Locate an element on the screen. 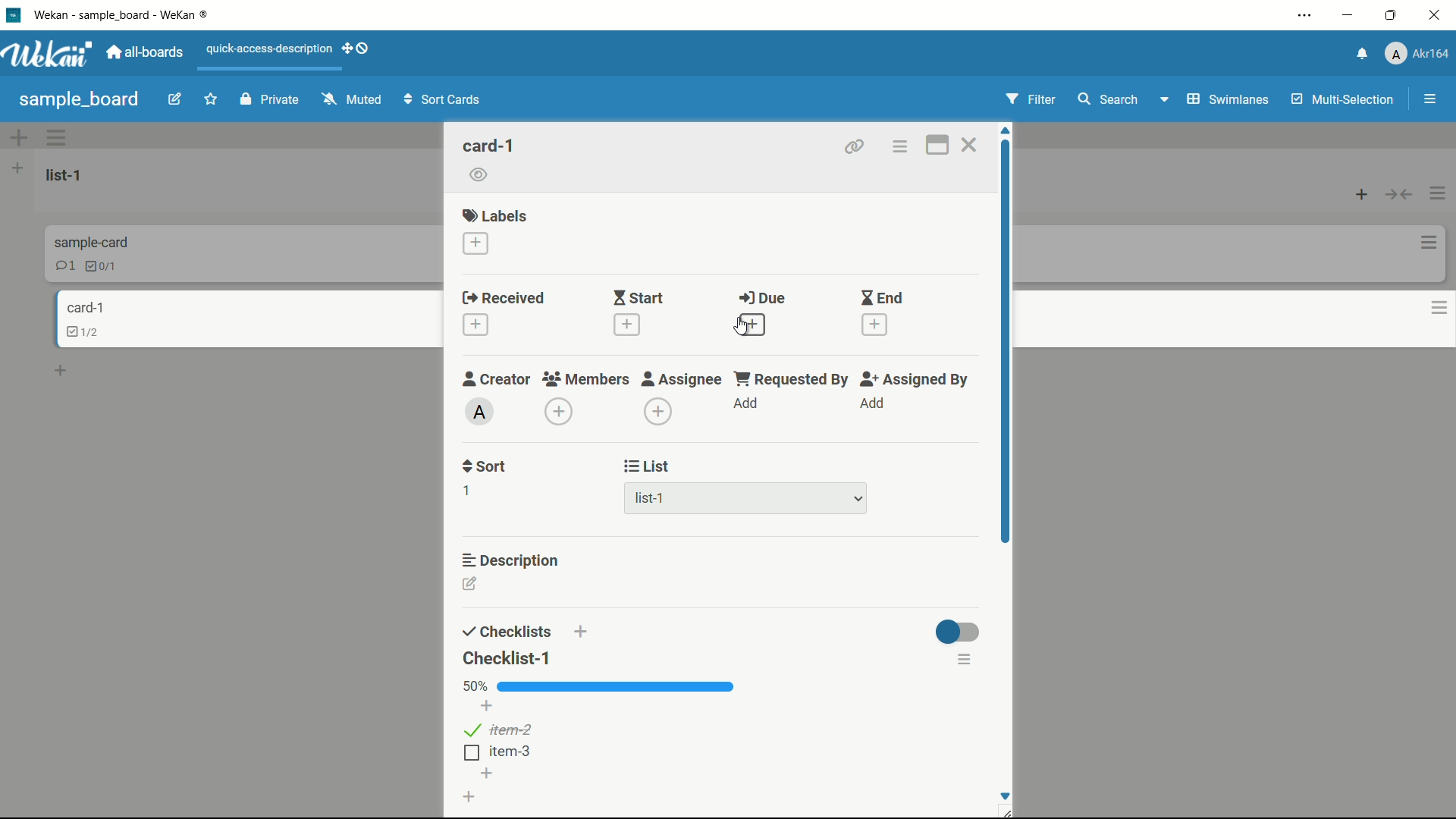 The height and width of the screenshot is (819, 1456). add swimlane is located at coordinates (19, 140).